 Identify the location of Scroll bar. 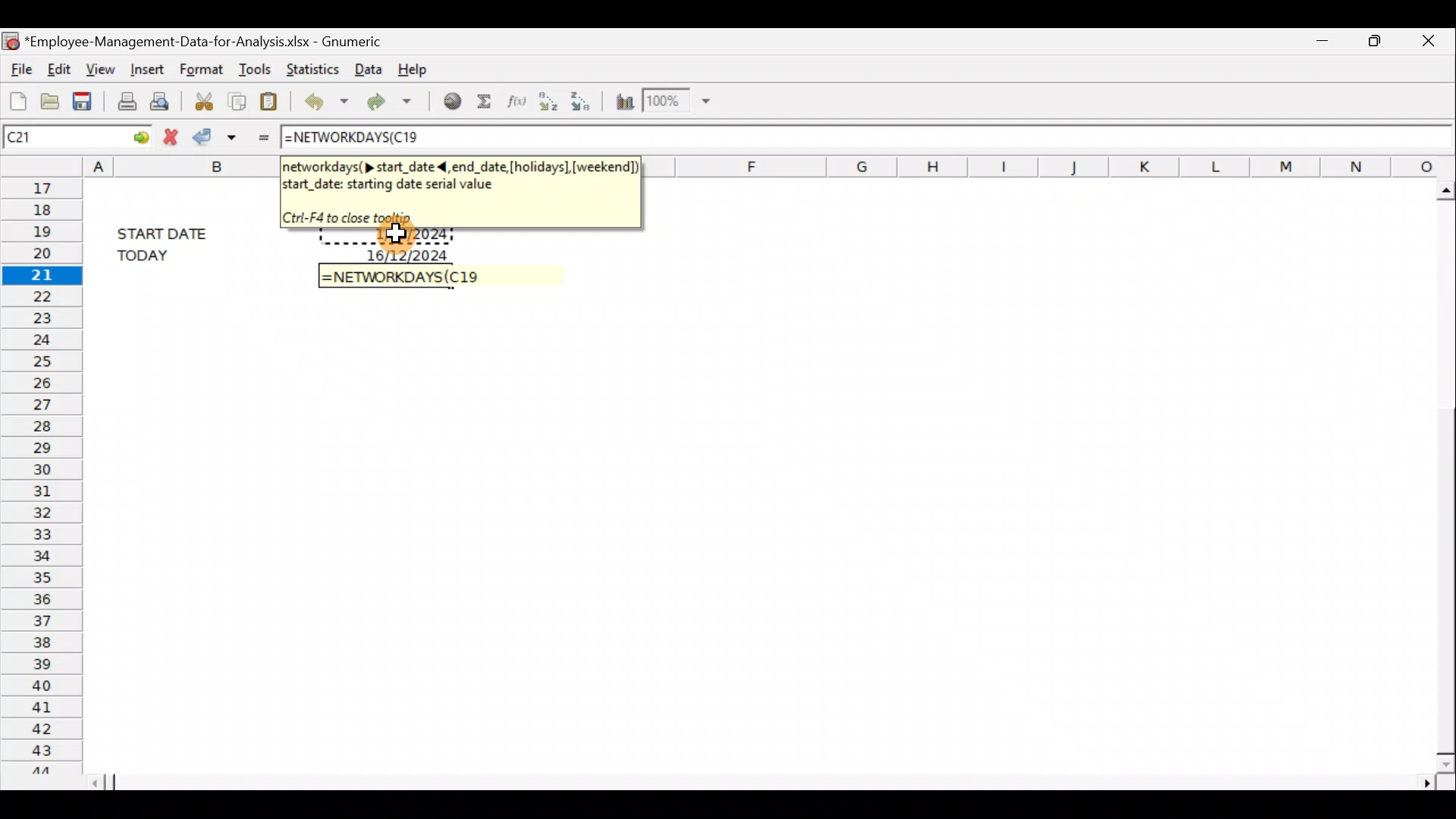
(767, 782).